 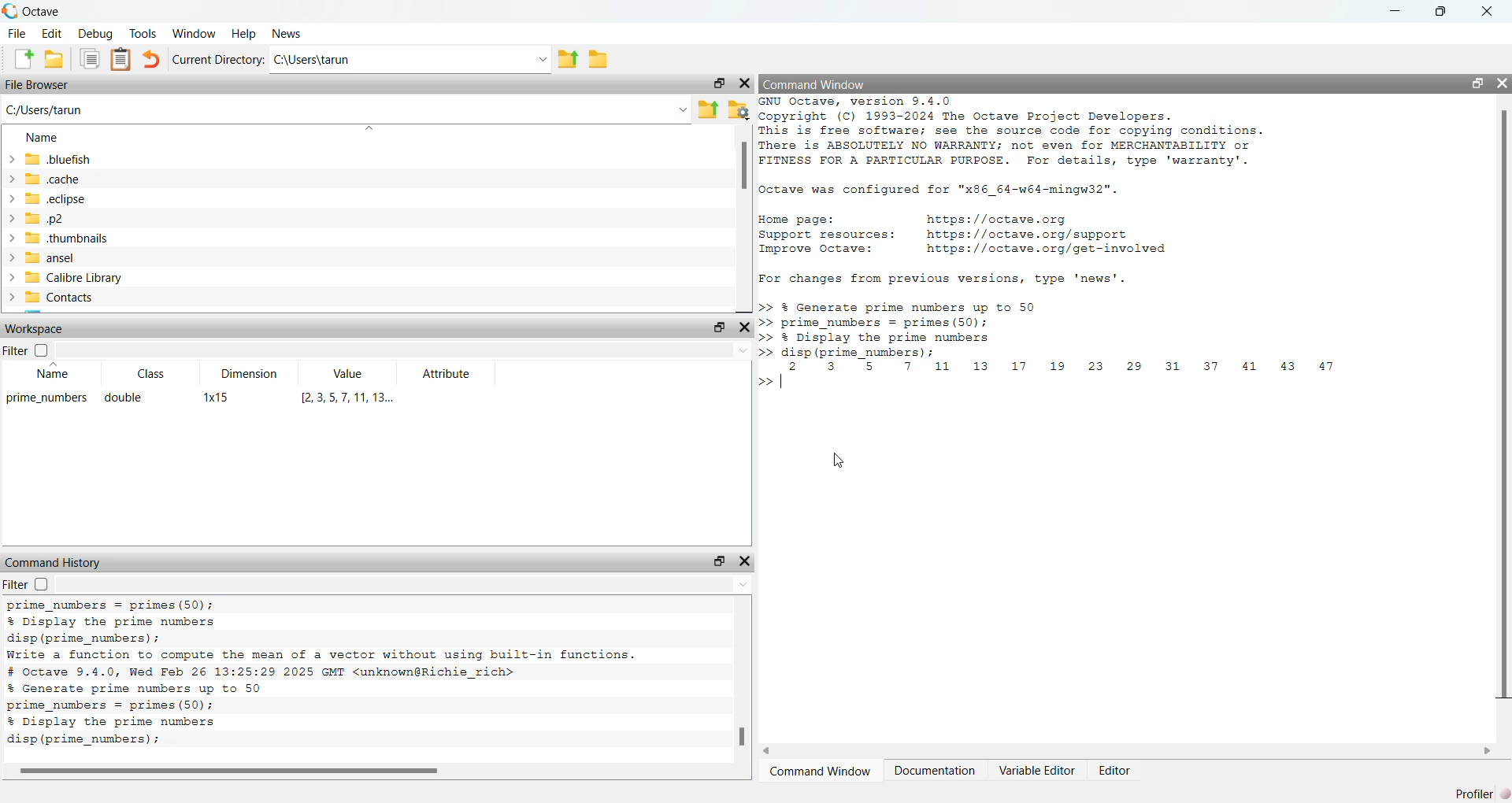 What do you see at coordinates (17, 34) in the screenshot?
I see `file` at bounding box center [17, 34].